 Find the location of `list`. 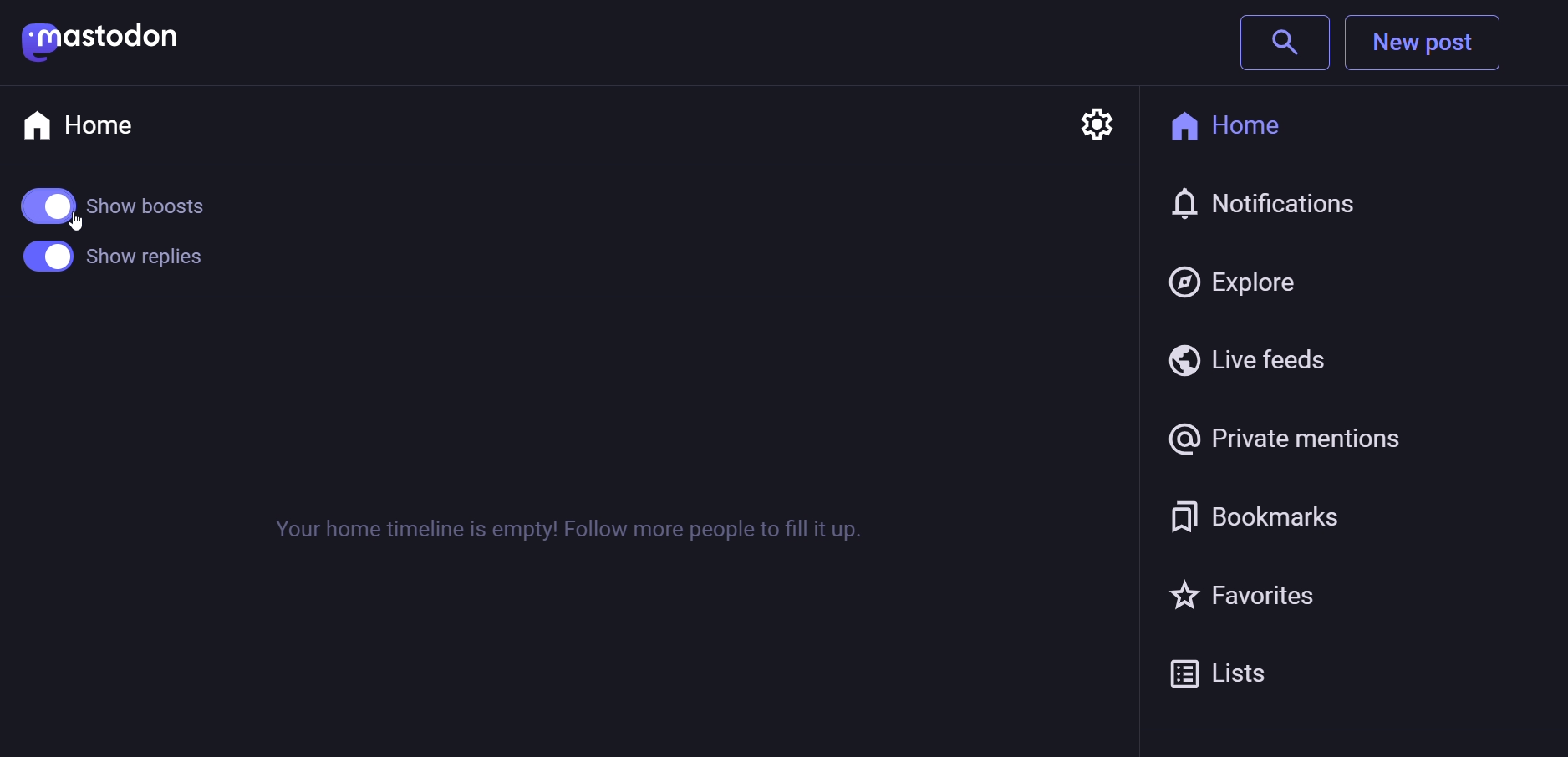

list is located at coordinates (1233, 672).